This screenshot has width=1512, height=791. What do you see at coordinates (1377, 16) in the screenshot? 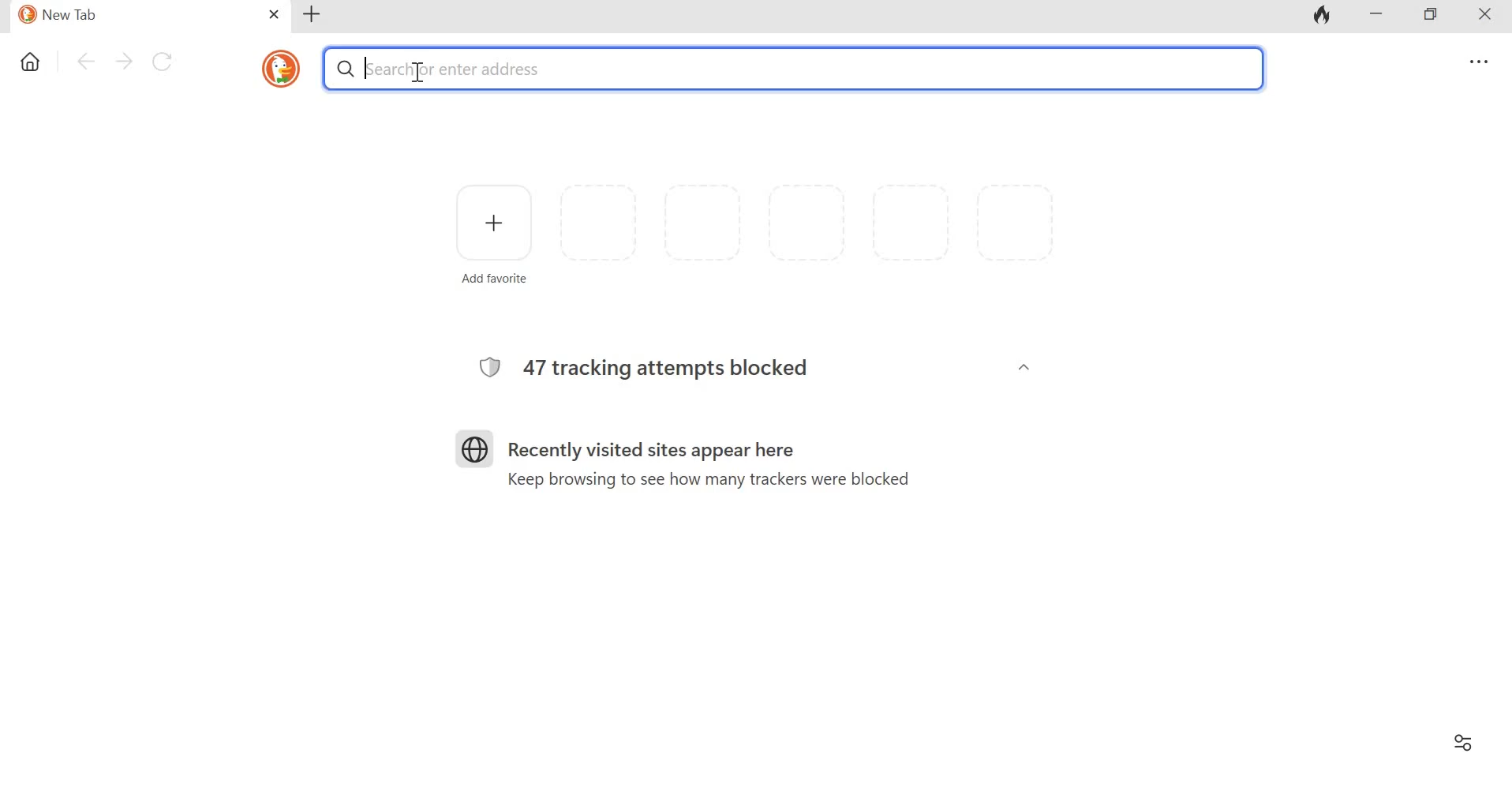
I see `Minimize` at bounding box center [1377, 16].